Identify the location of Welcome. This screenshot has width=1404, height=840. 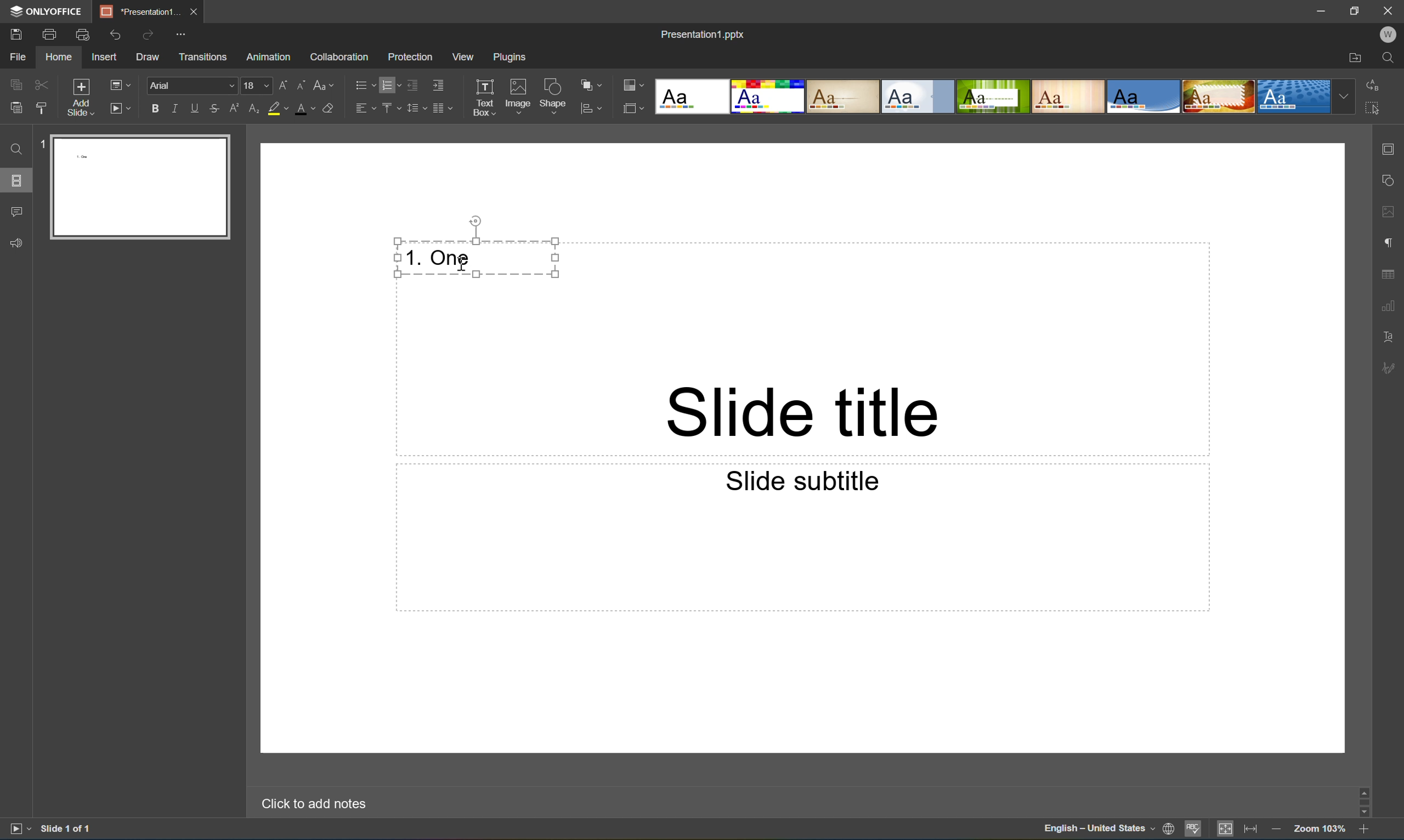
(1389, 34).